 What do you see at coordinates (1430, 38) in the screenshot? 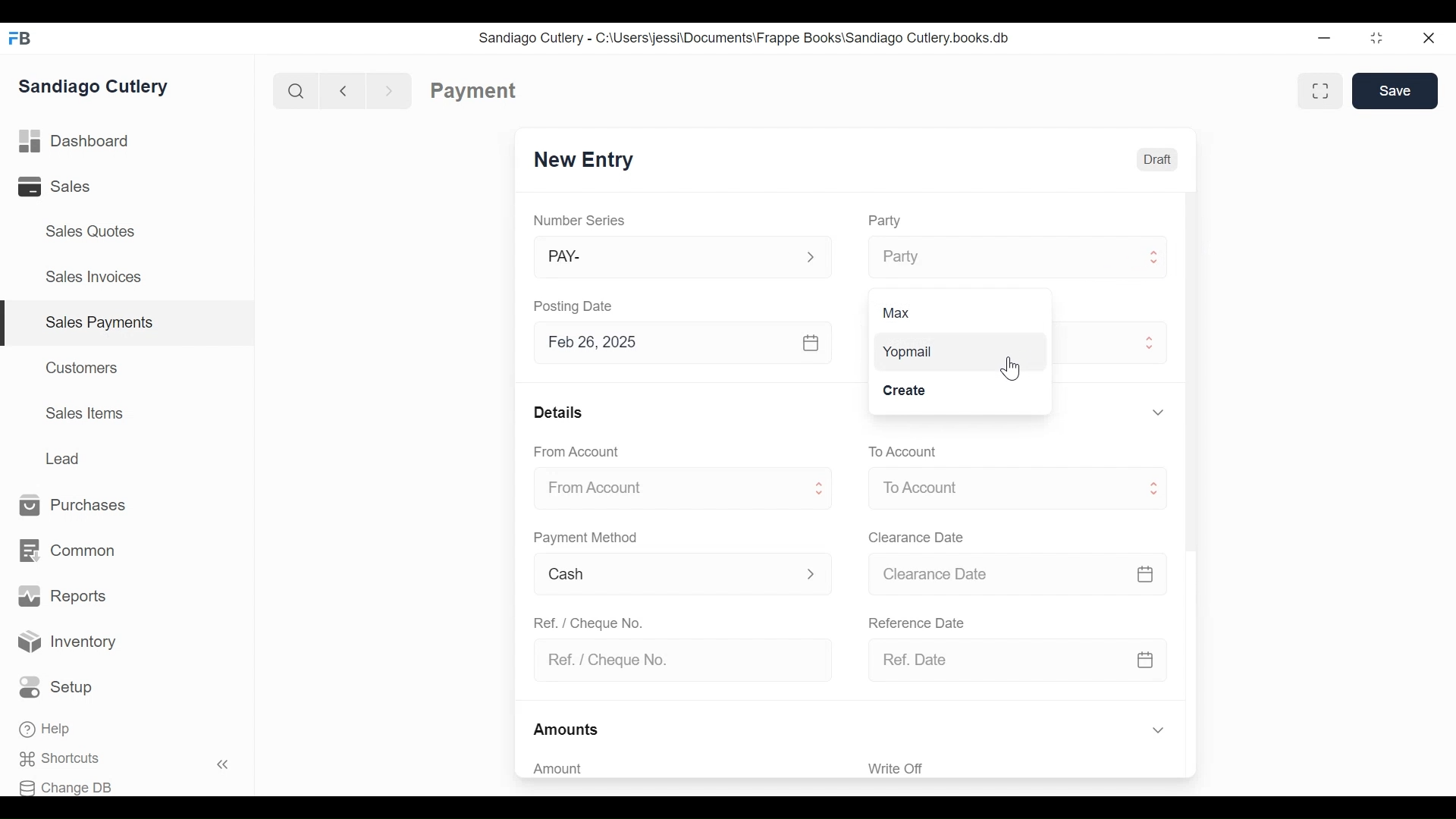
I see `Close ` at bounding box center [1430, 38].